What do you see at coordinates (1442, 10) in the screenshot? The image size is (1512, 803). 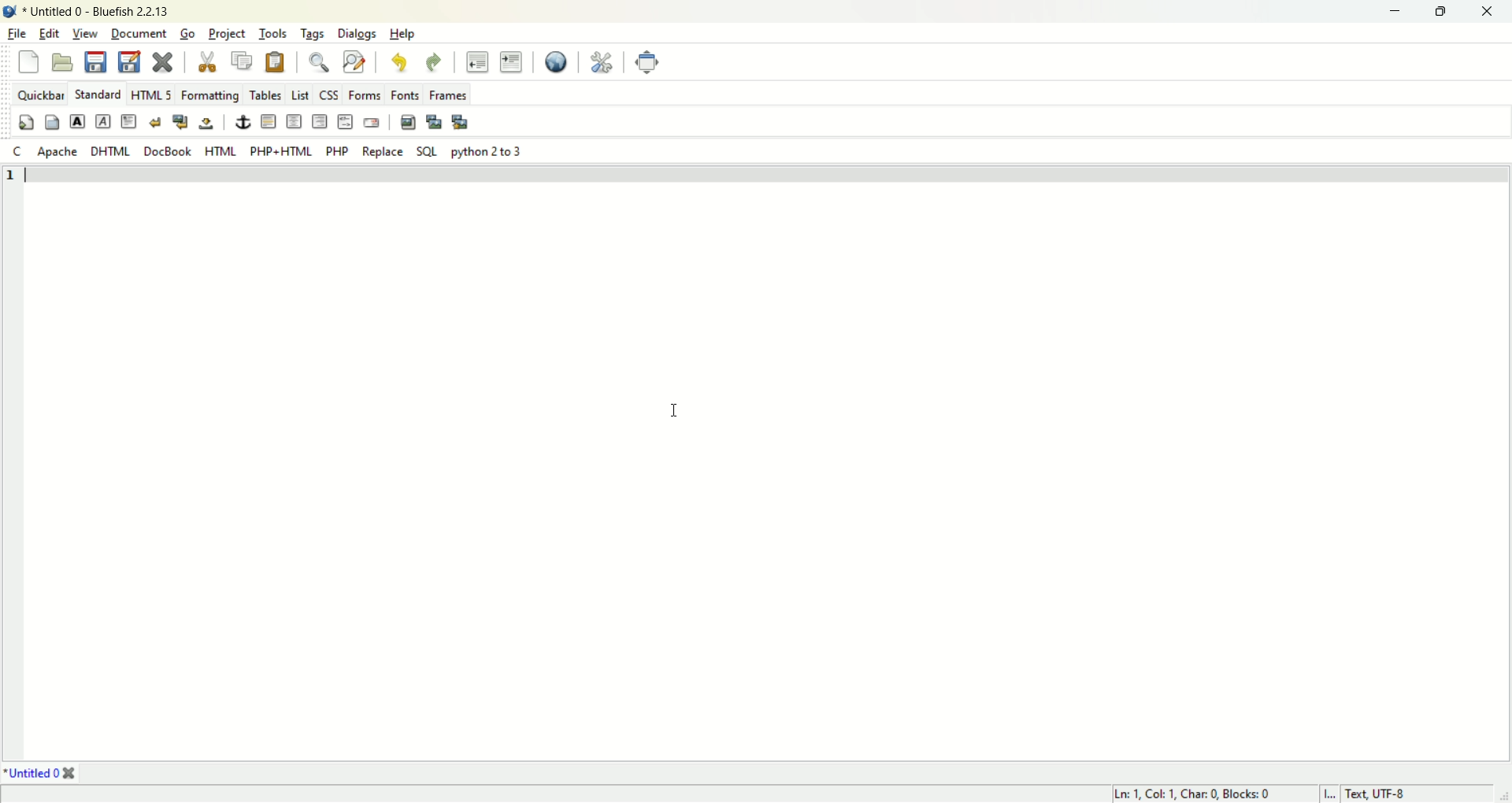 I see `maximize` at bounding box center [1442, 10].